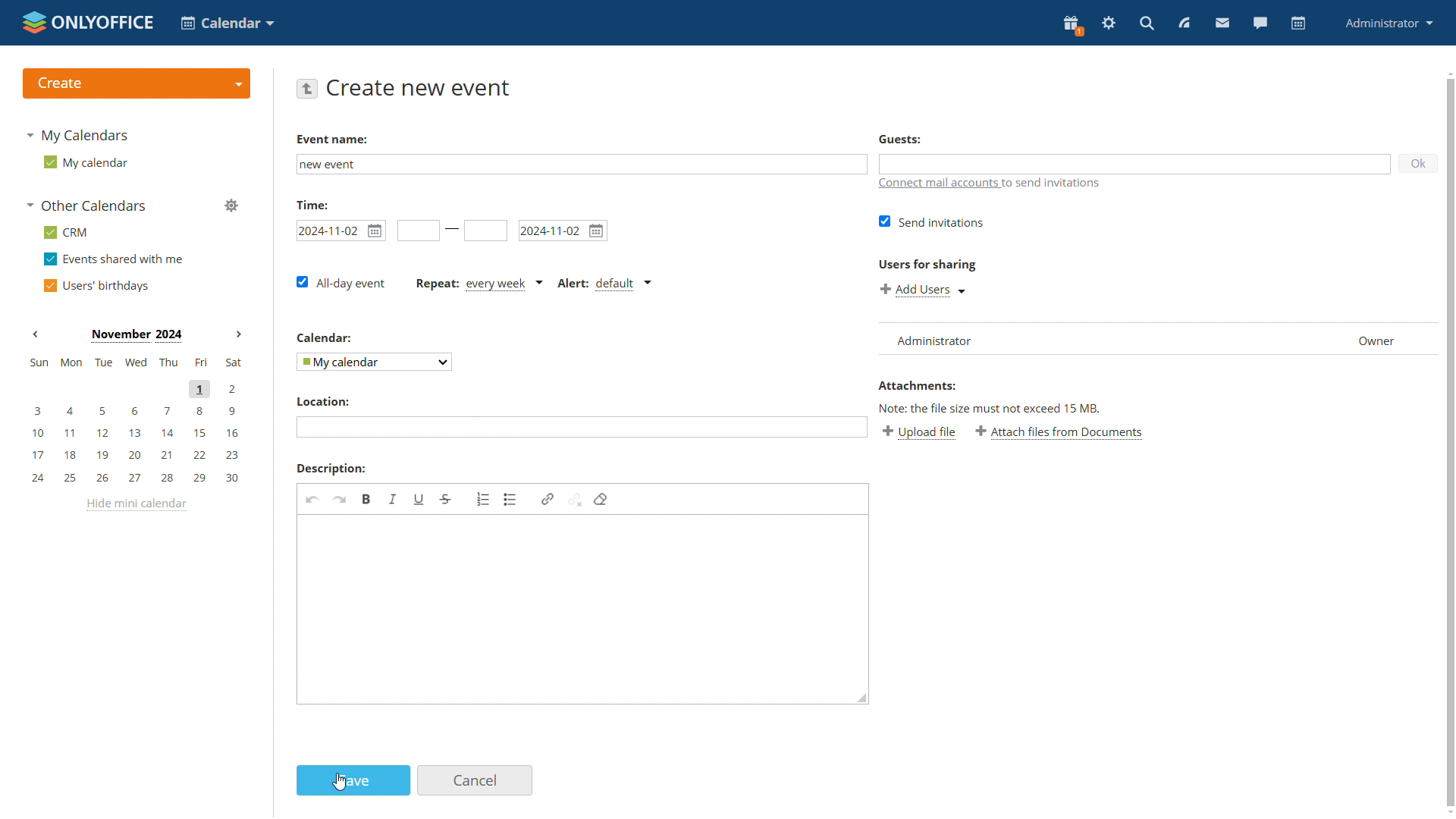  Describe the element at coordinates (607, 284) in the screenshot. I see `event altert type` at that location.